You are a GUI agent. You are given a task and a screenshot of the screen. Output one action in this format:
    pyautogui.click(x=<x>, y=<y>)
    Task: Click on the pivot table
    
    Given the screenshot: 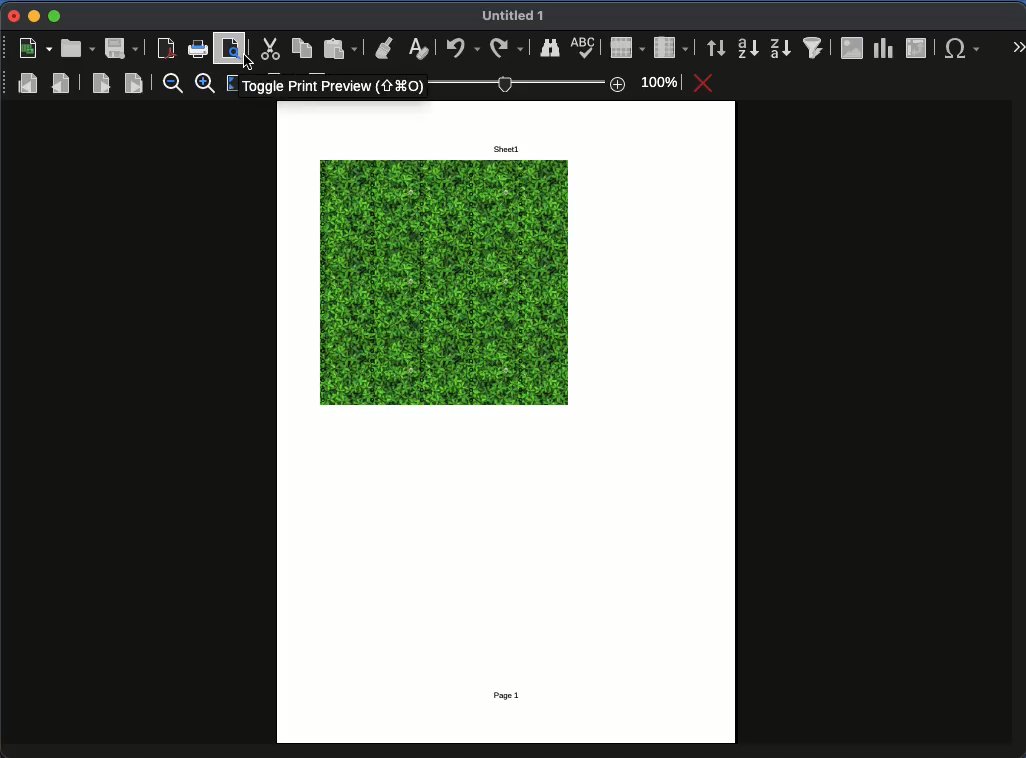 What is the action you would take?
    pyautogui.click(x=918, y=48)
    